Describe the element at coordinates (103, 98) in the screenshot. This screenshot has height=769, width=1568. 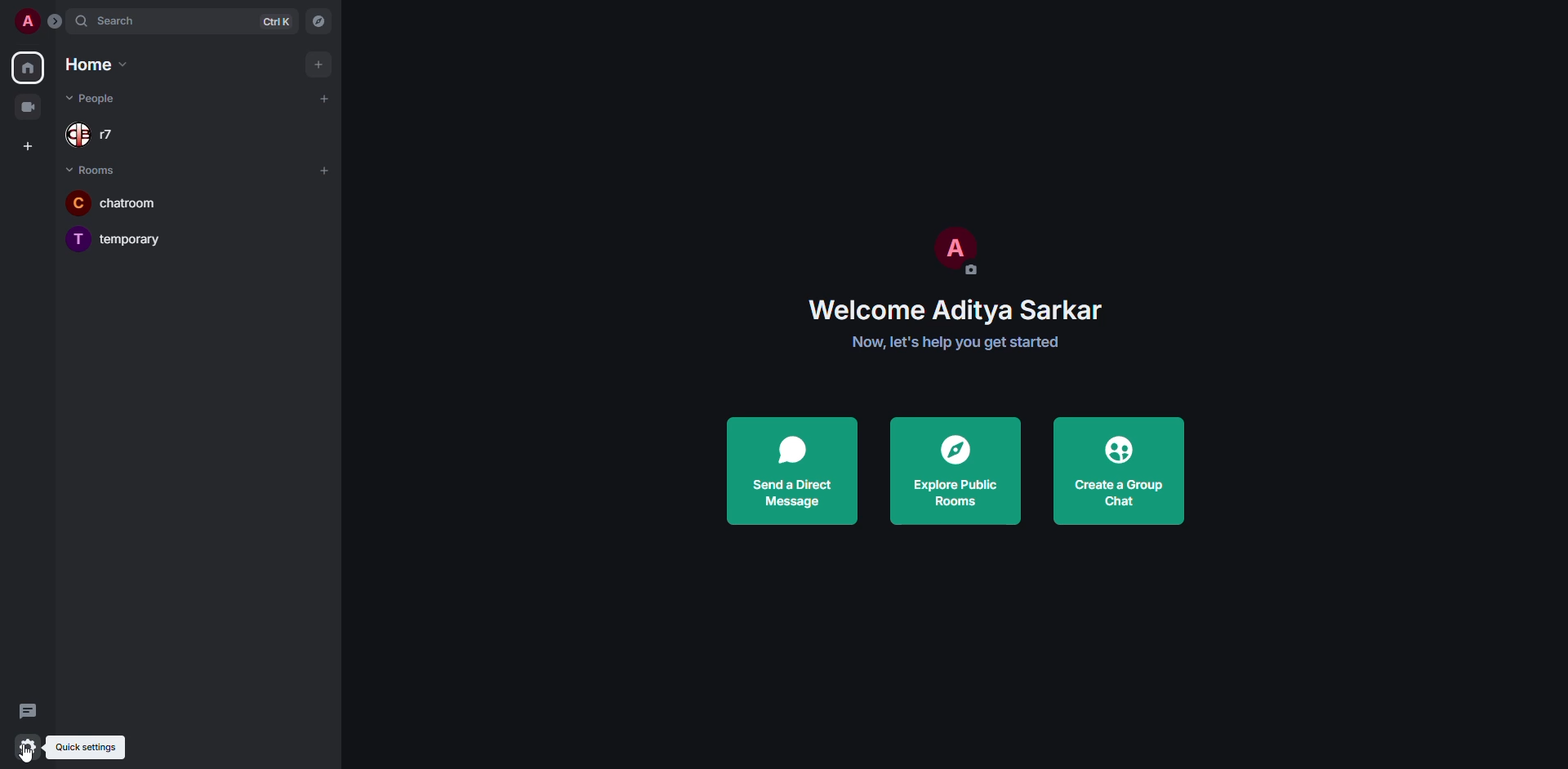
I see `people` at that location.